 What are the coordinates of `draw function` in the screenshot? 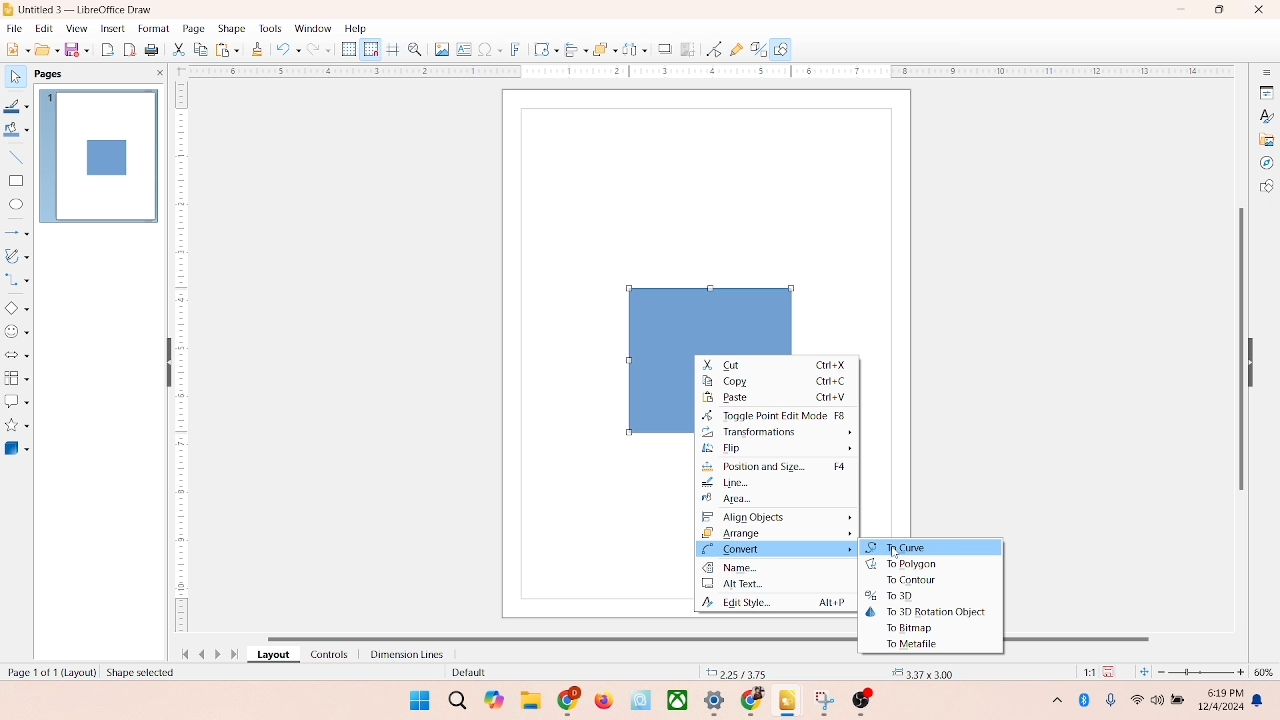 It's located at (783, 49).